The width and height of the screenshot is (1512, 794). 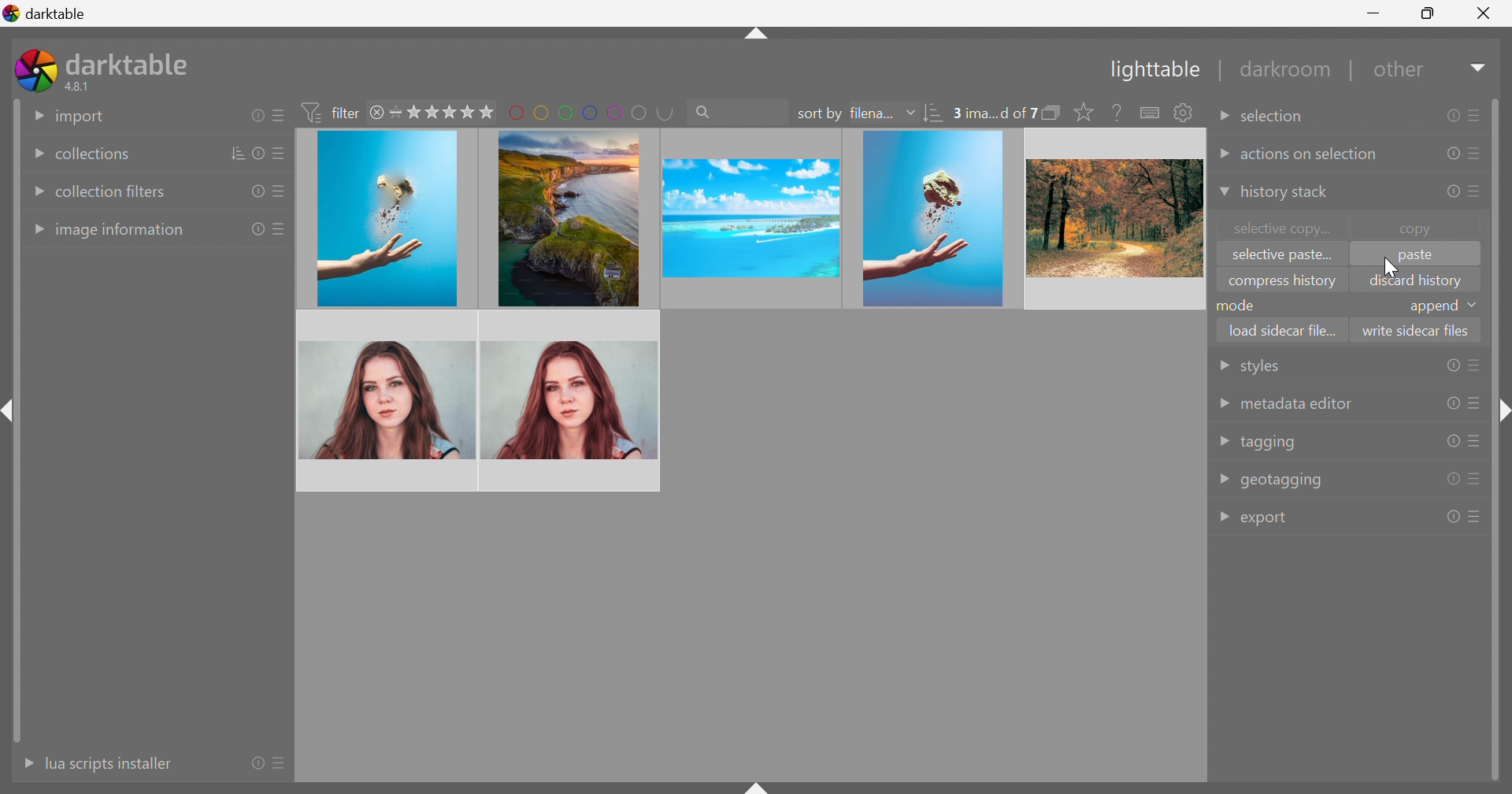 What do you see at coordinates (1282, 283) in the screenshot?
I see `compress history` at bounding box center [1282, 283].